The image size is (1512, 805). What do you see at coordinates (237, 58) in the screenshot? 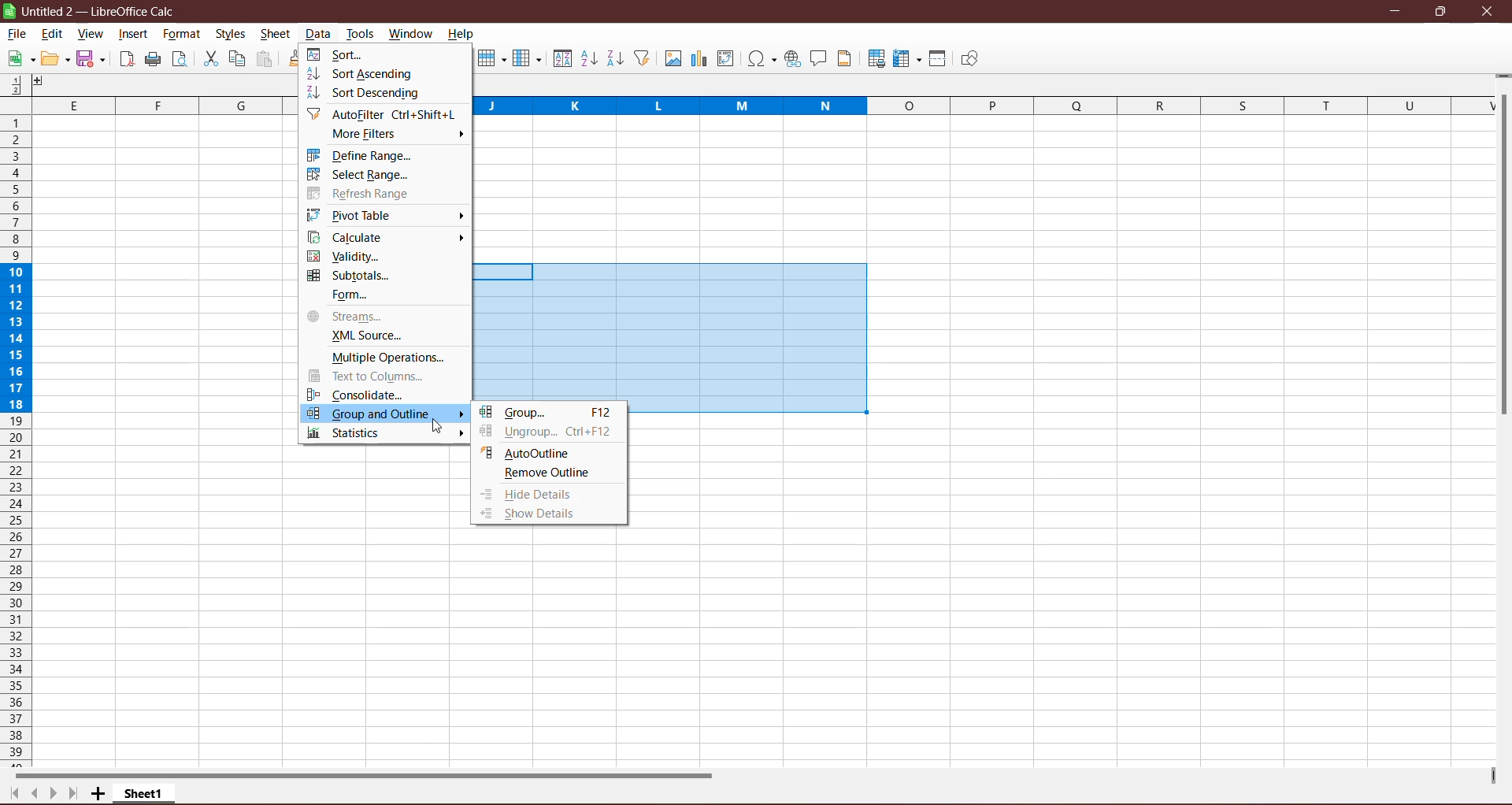
I see `Copy` at bounding box center [237, 58].